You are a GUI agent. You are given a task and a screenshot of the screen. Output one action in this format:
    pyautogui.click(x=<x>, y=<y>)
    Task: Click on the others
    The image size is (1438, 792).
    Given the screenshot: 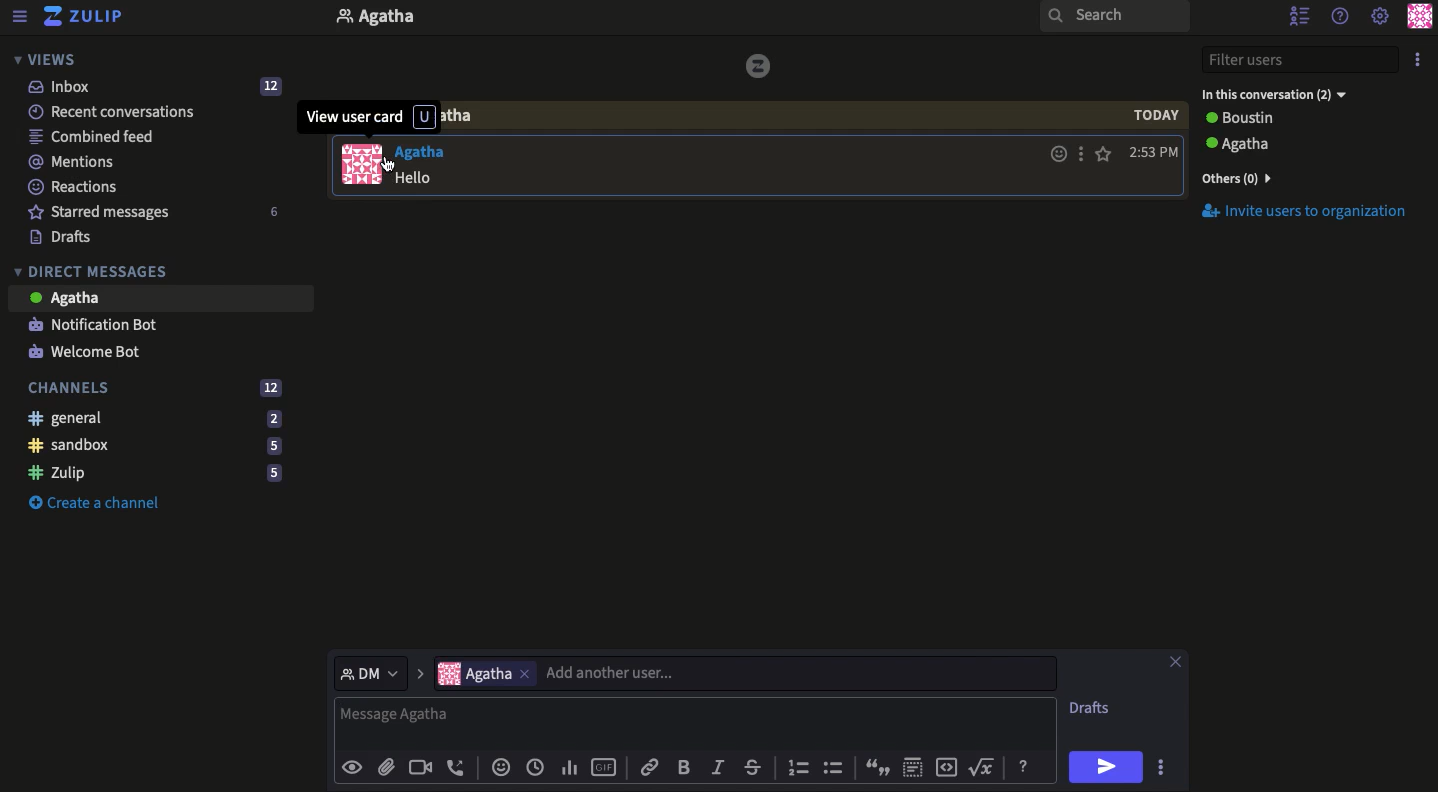 What is the action you would take?
    pyautogui.click(x=1258, y=177)
    